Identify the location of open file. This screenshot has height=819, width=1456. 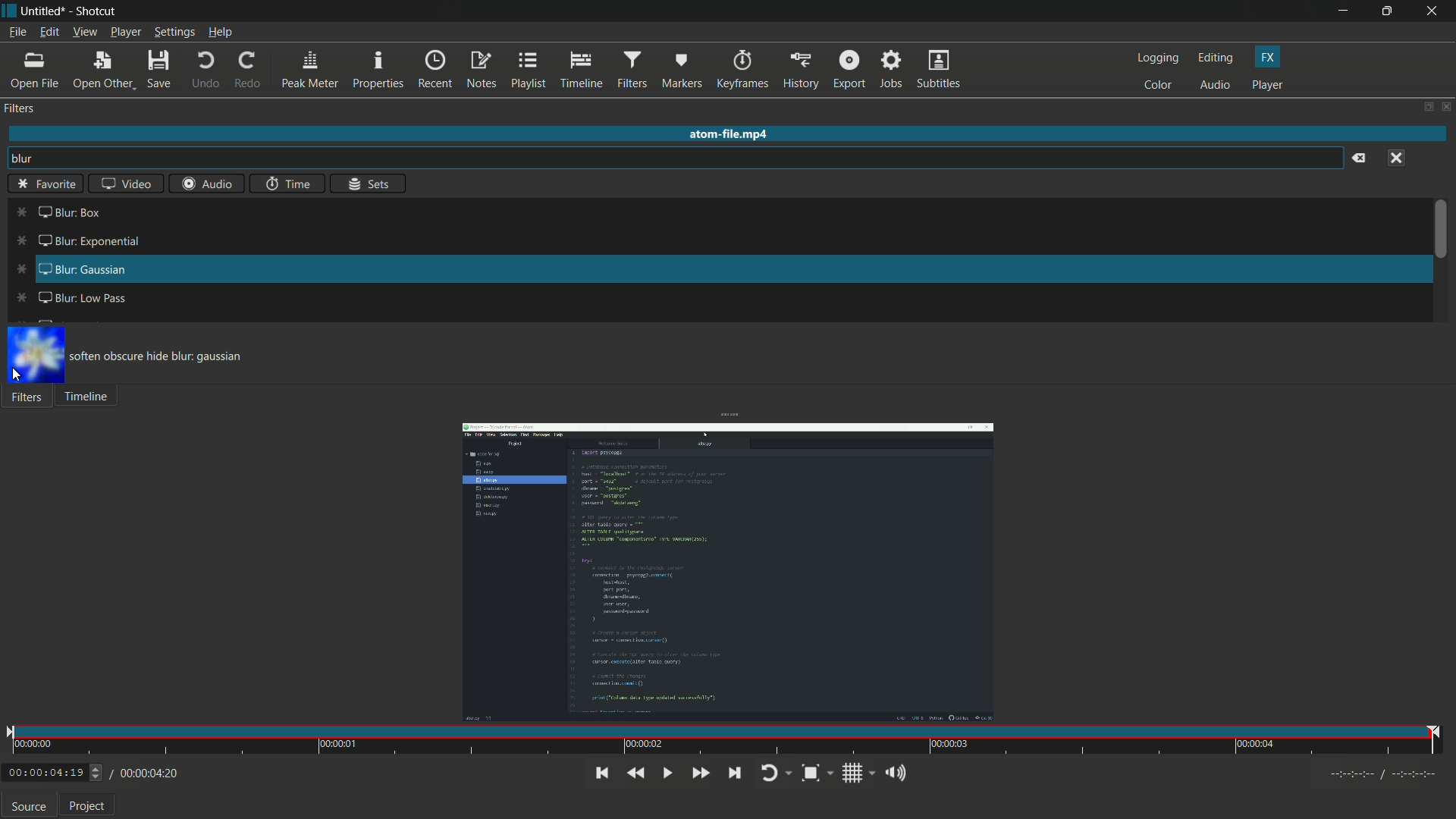
(35, 71).